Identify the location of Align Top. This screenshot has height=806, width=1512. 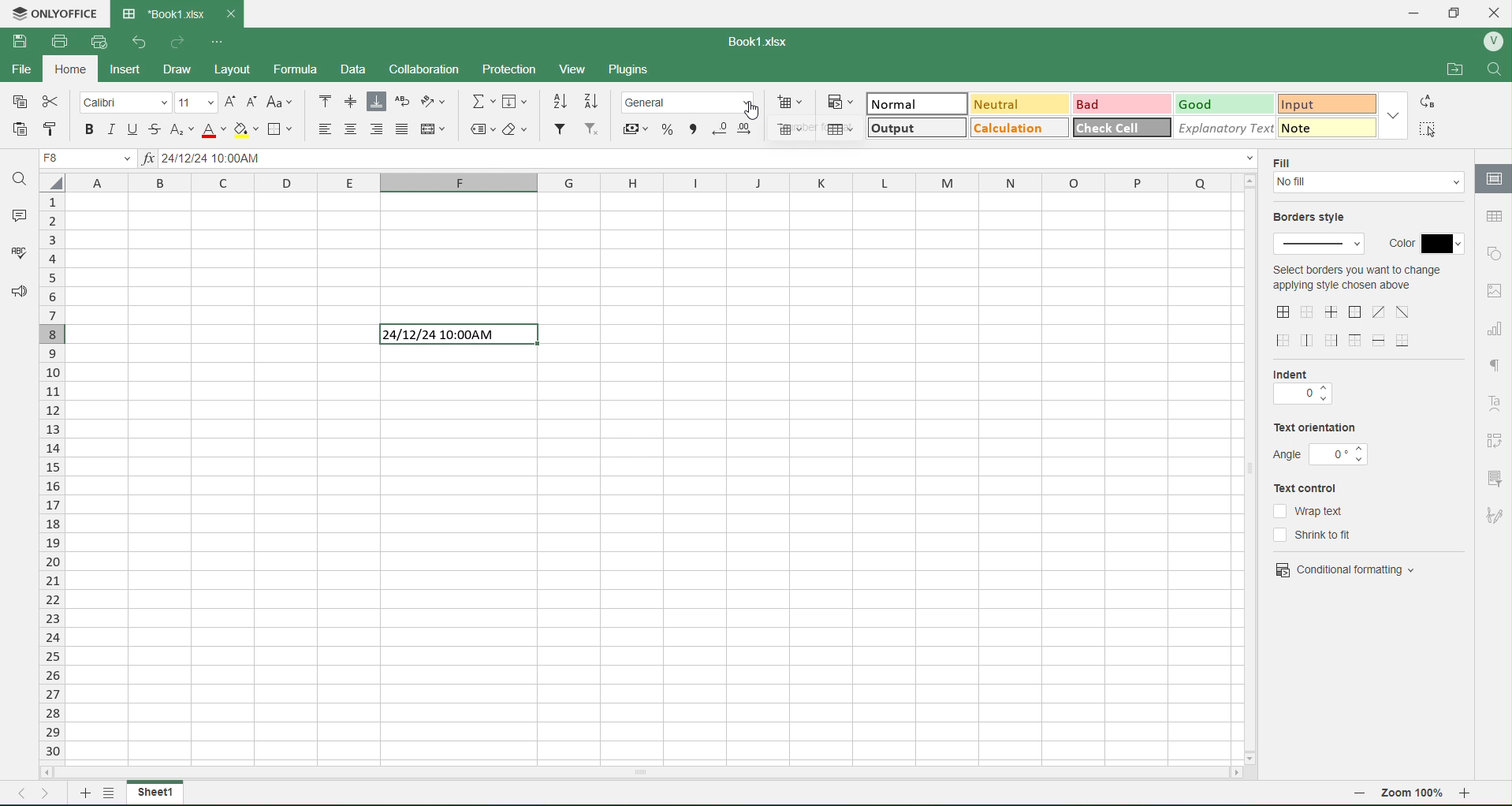
(326, 100).